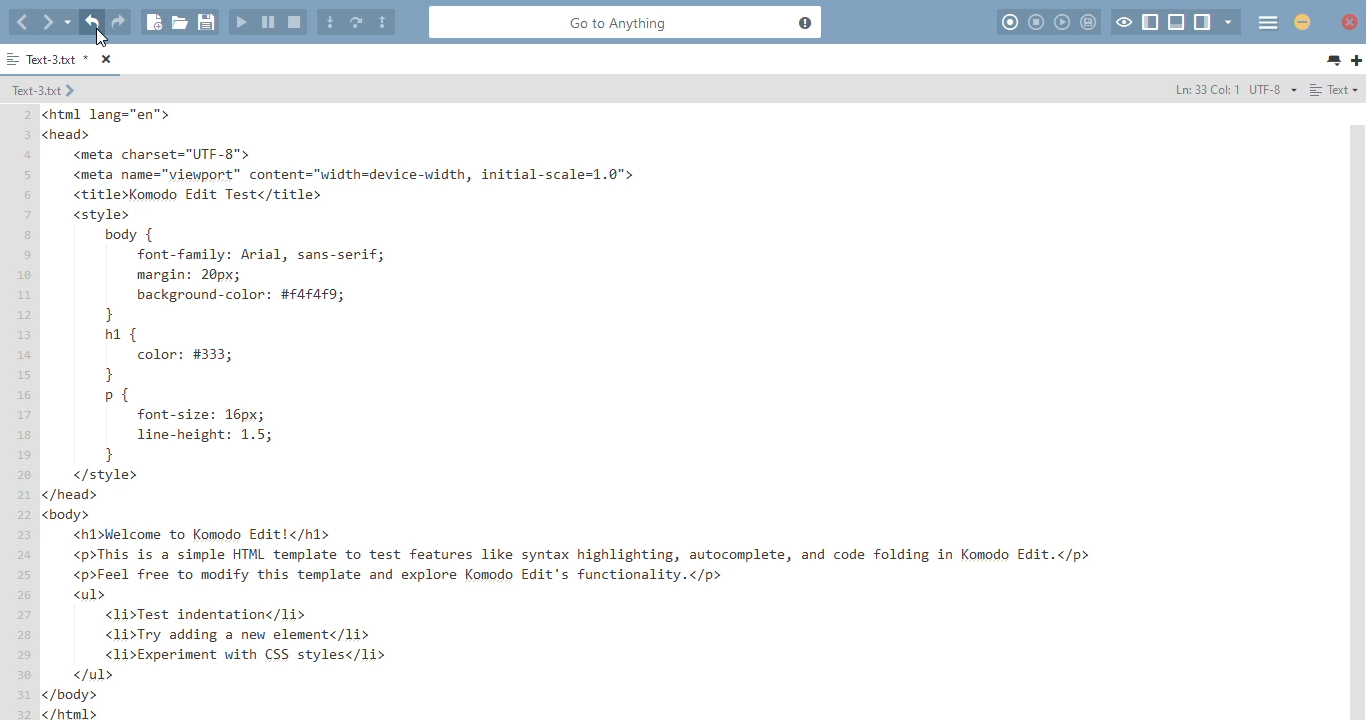 The height and width of the screenshot is (720, 1366). What do you see at coordinates (1177, 22) in the screenshot?
I see `show/hide bottom pane` at bounding box center [1177, 22].